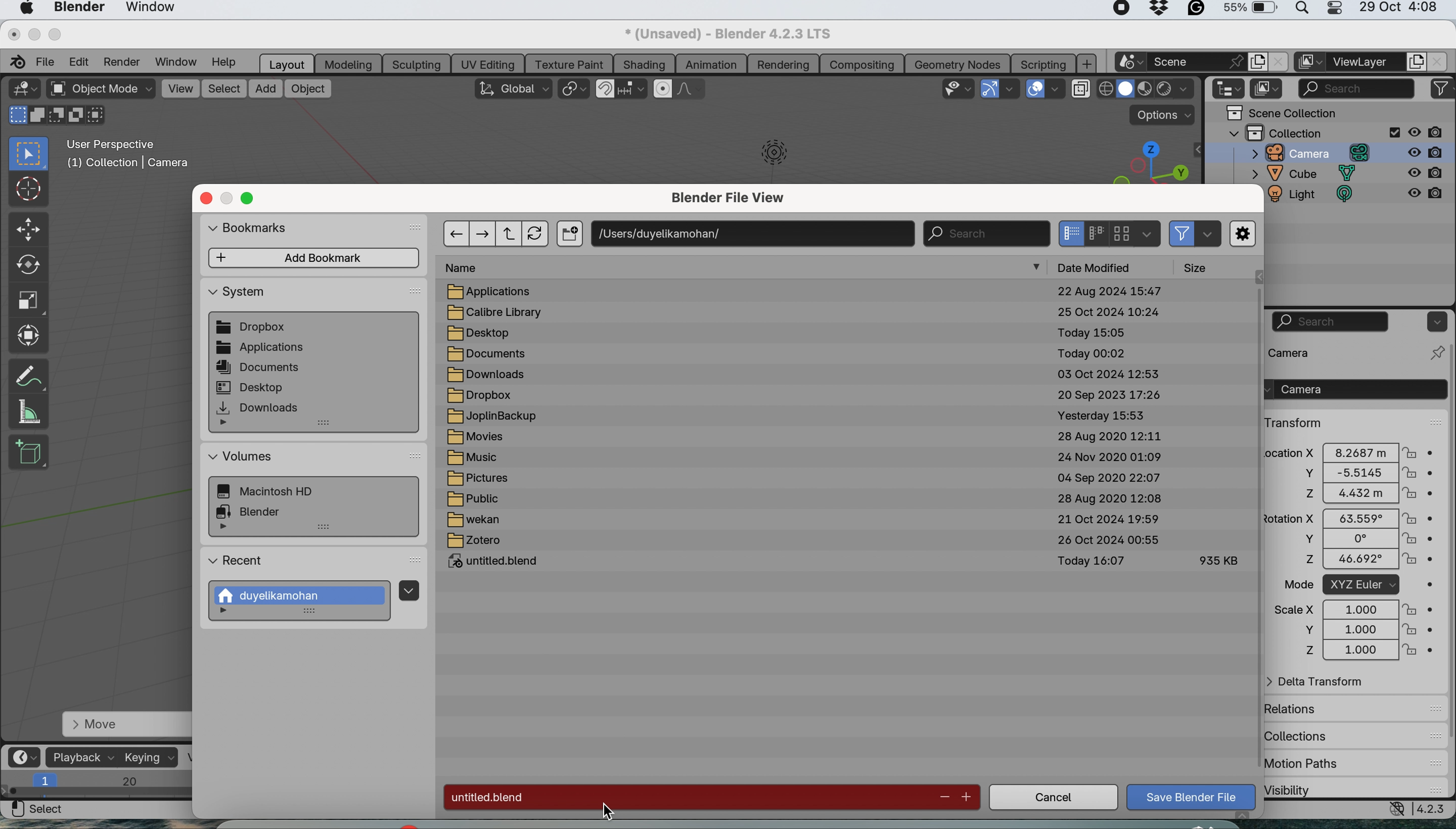 The image size is (1456, 829). Describe the element at coordinates (498, 291) in the screenshot. I see `applications` at that location.